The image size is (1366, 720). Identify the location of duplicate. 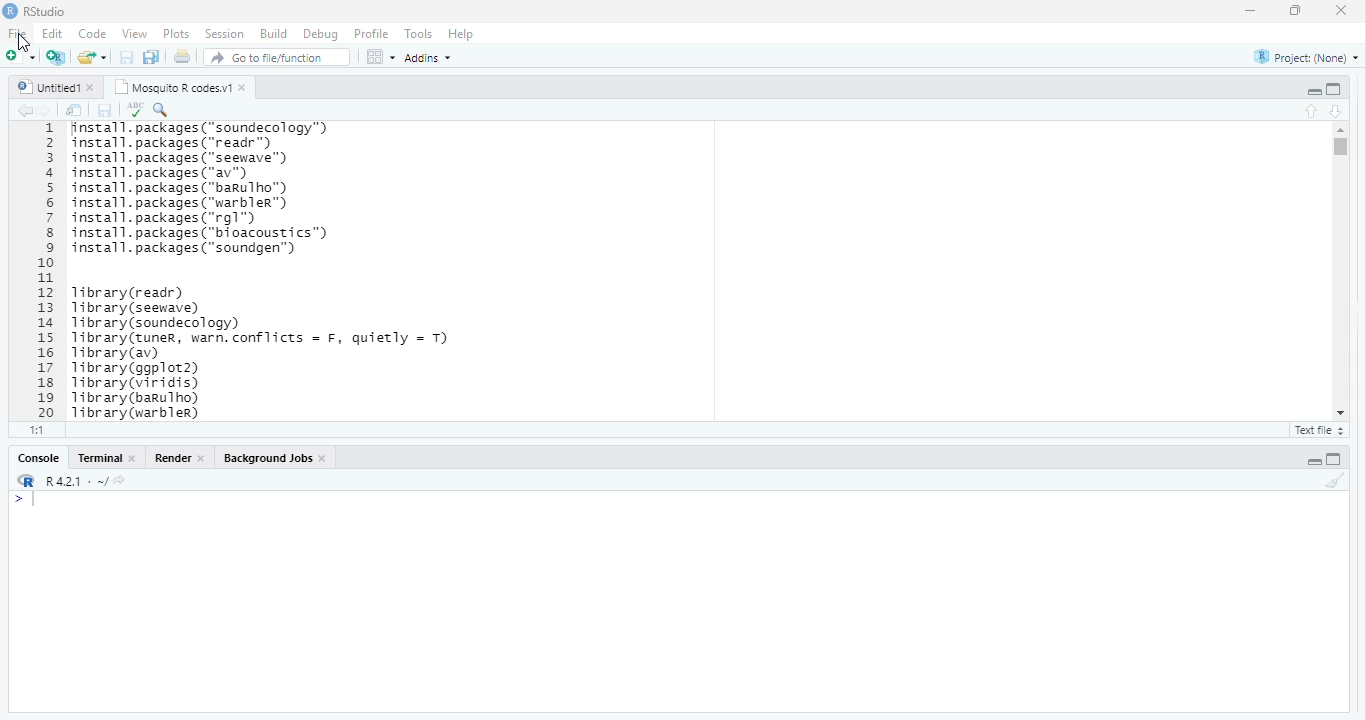
(152, 57).